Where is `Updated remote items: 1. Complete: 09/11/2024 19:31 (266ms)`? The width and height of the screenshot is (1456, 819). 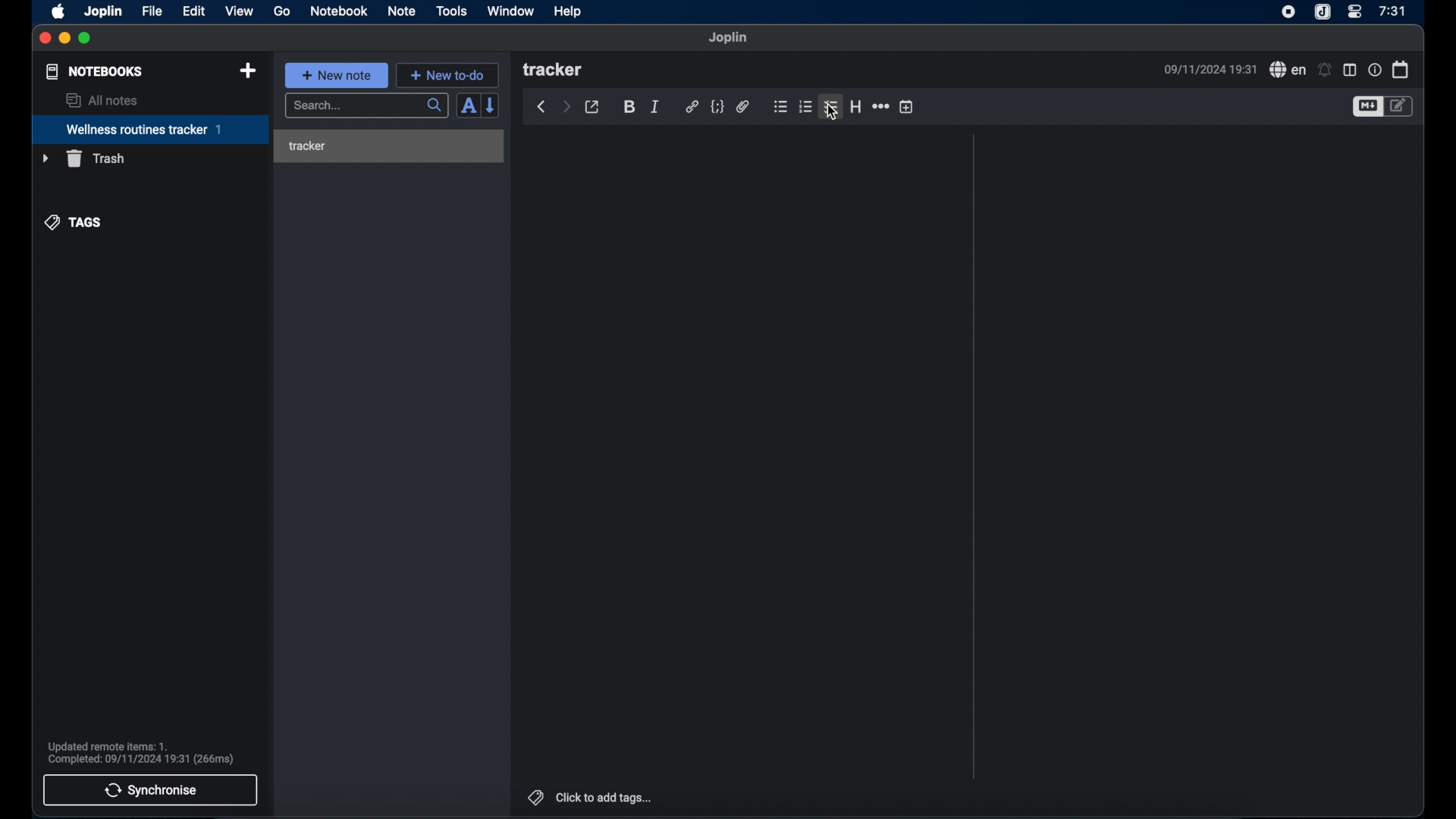
Updated remote items: 1. Complete: 09/11/2024 19:31 (266ms) is located at coordinates (147, 751).